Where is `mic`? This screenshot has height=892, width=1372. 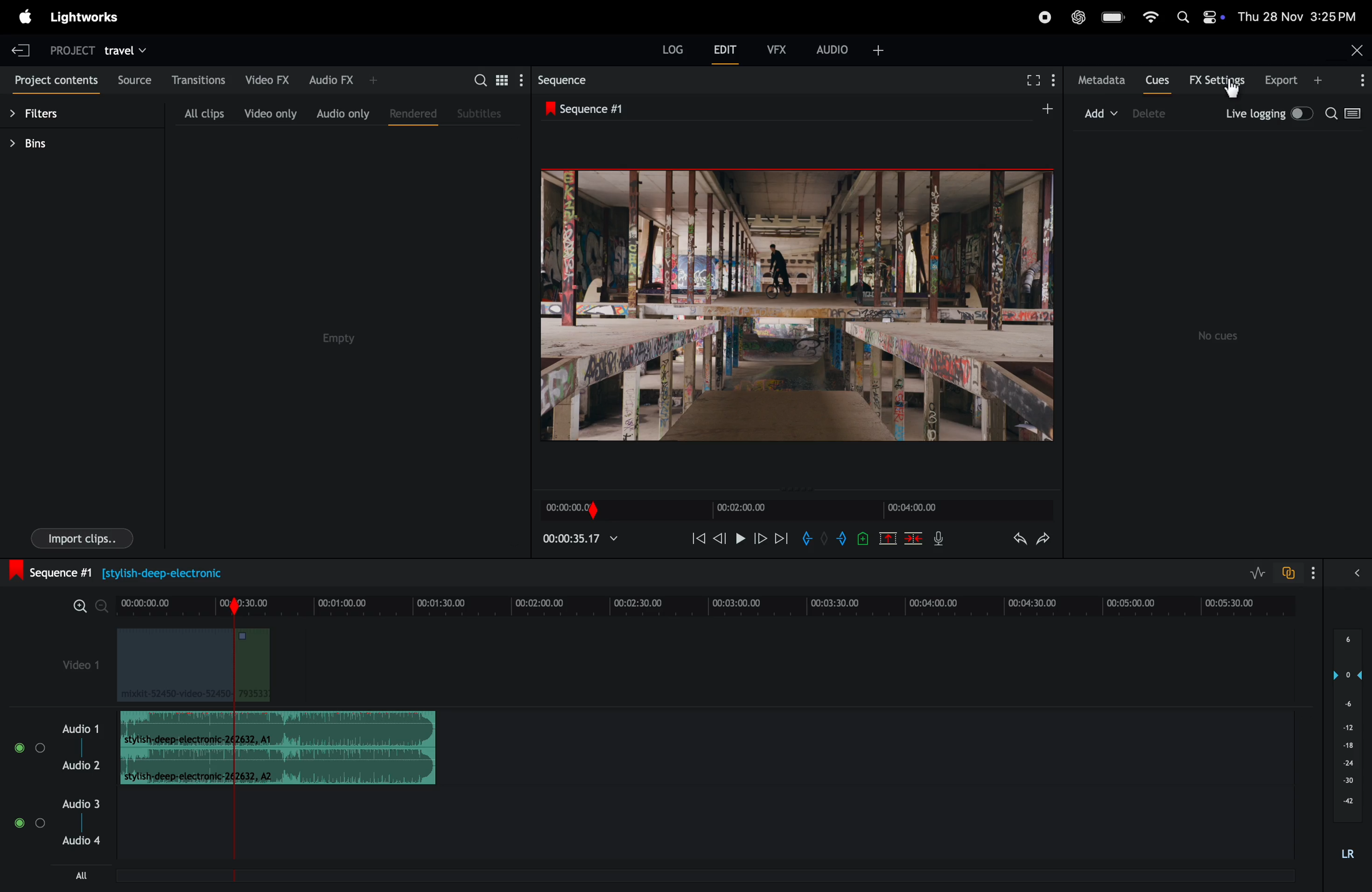 mic is located at coordinates (939, 538).